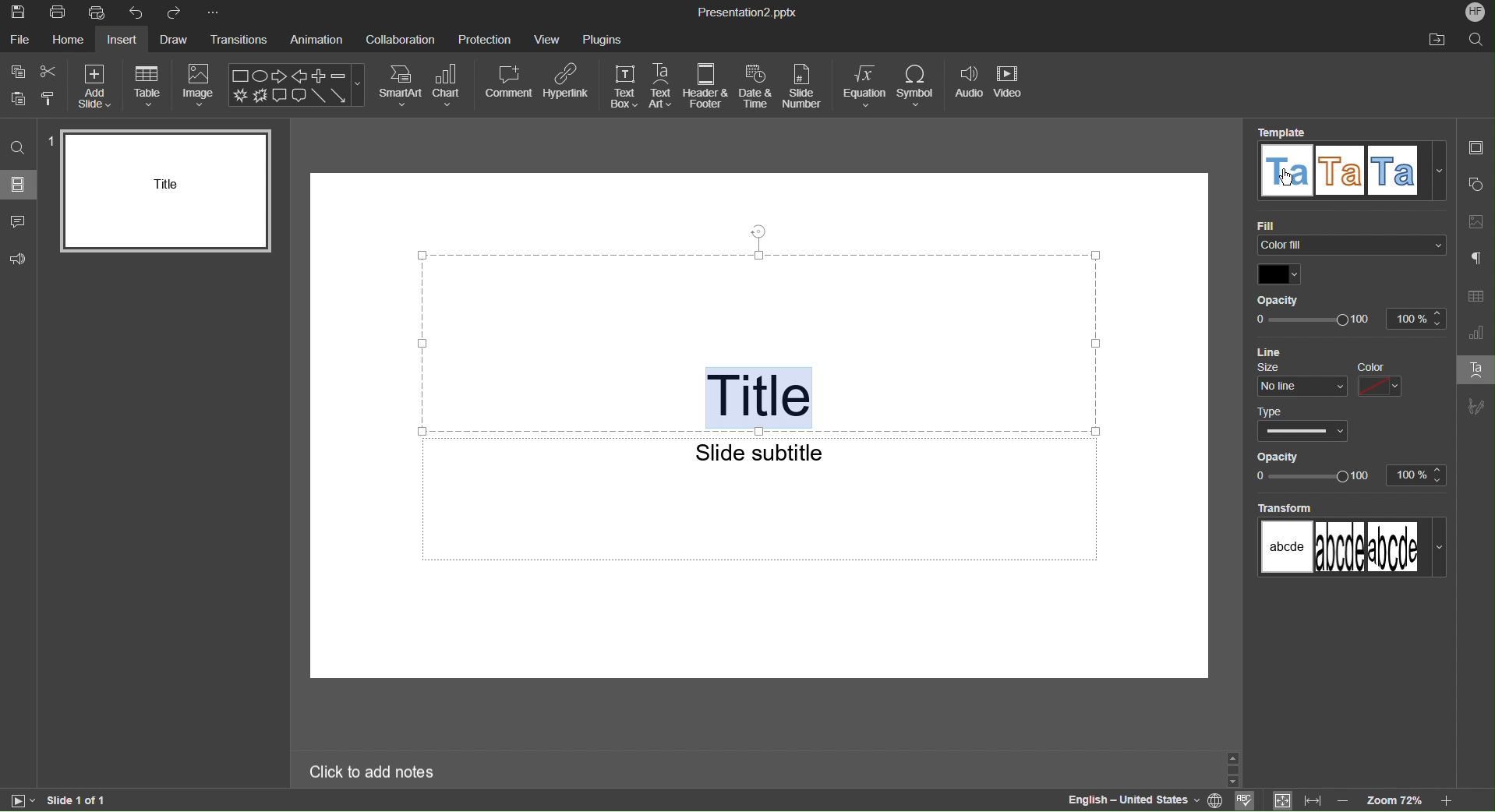  I want to click on Slide 1, so click(162, 192).